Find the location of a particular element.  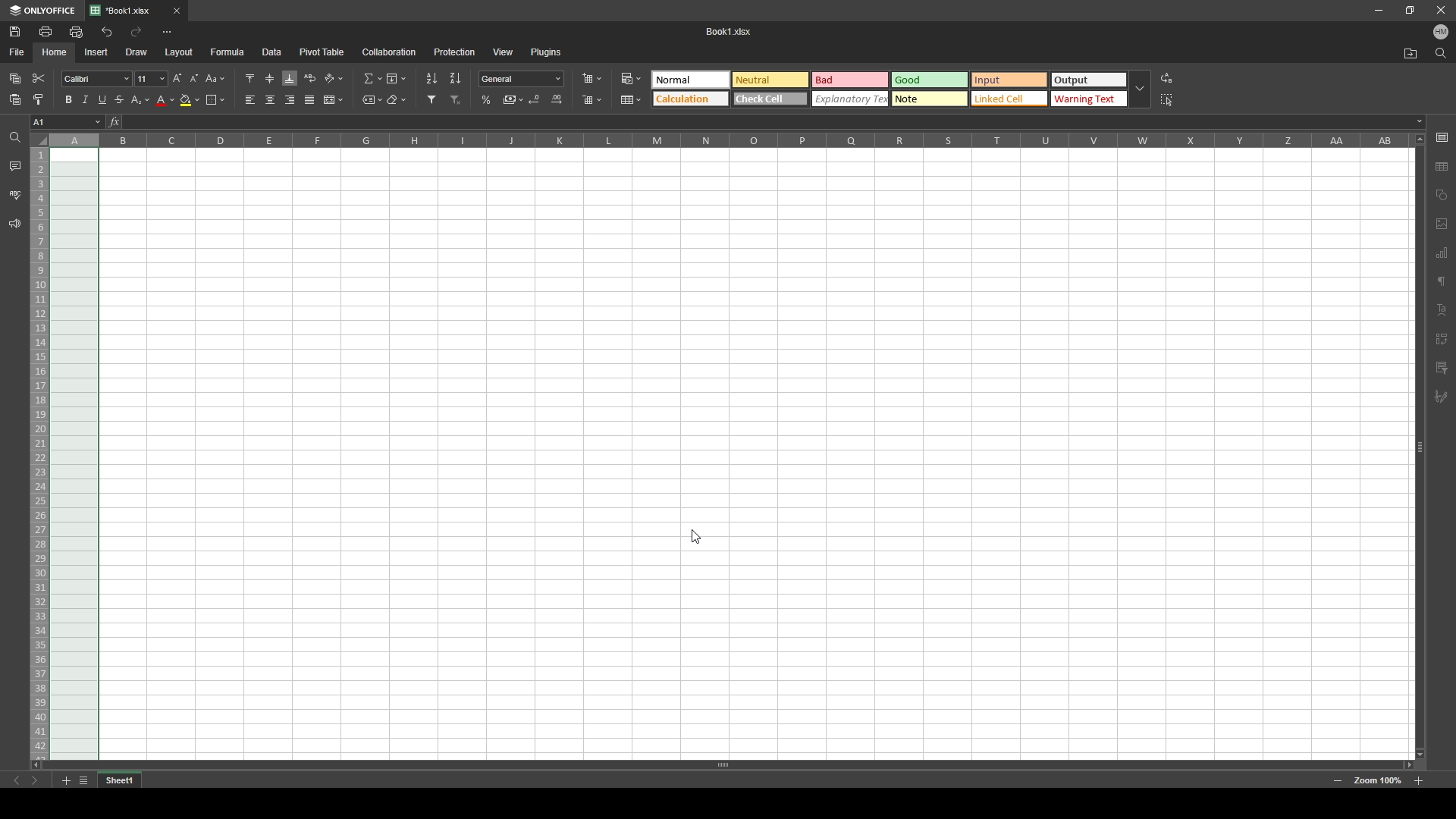

cell columns is located at coordinates (728, 140).